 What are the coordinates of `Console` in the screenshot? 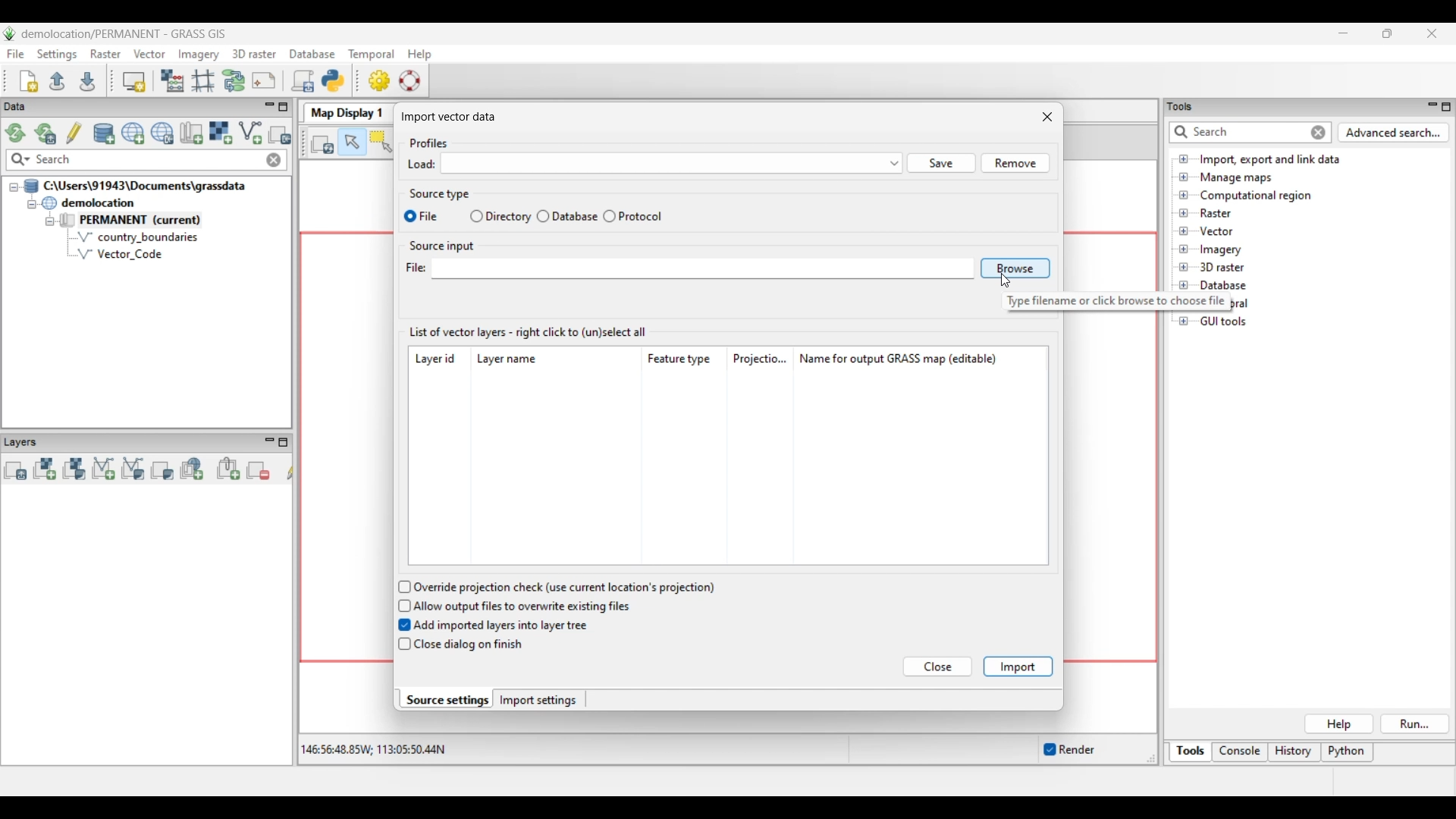 It's located at (1240, 753).